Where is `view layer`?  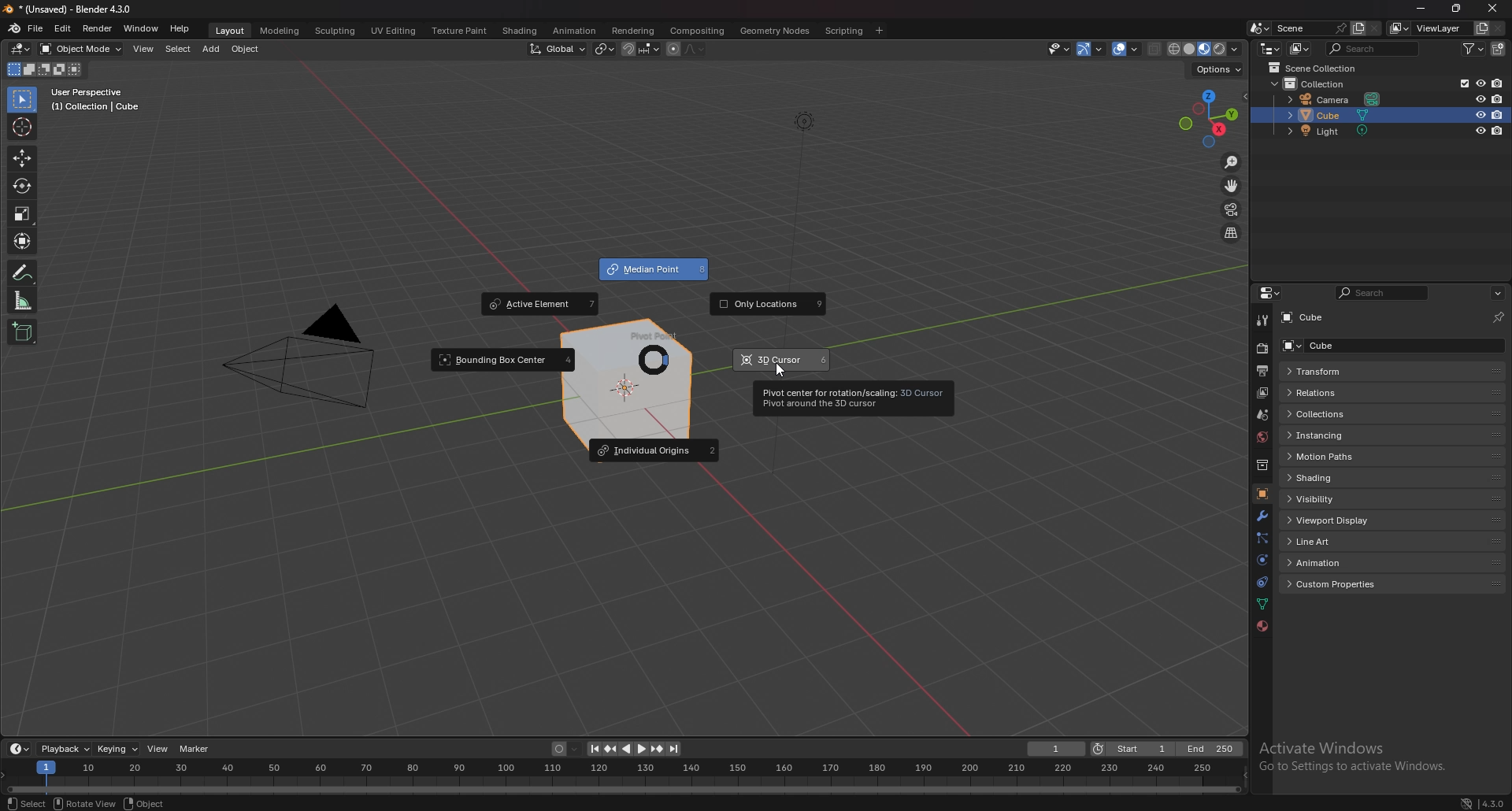
view layer is located at coordinates (1262, 393).